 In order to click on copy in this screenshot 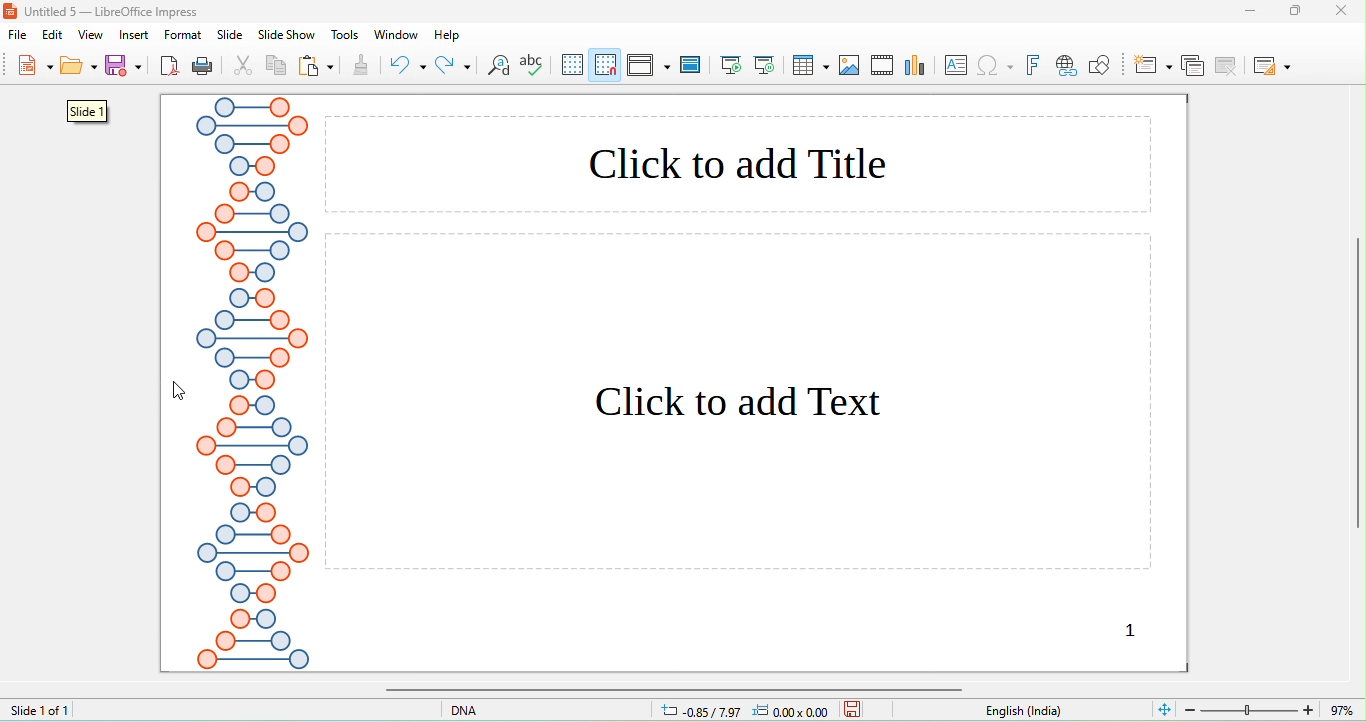, I will do `click(277, 68)`.